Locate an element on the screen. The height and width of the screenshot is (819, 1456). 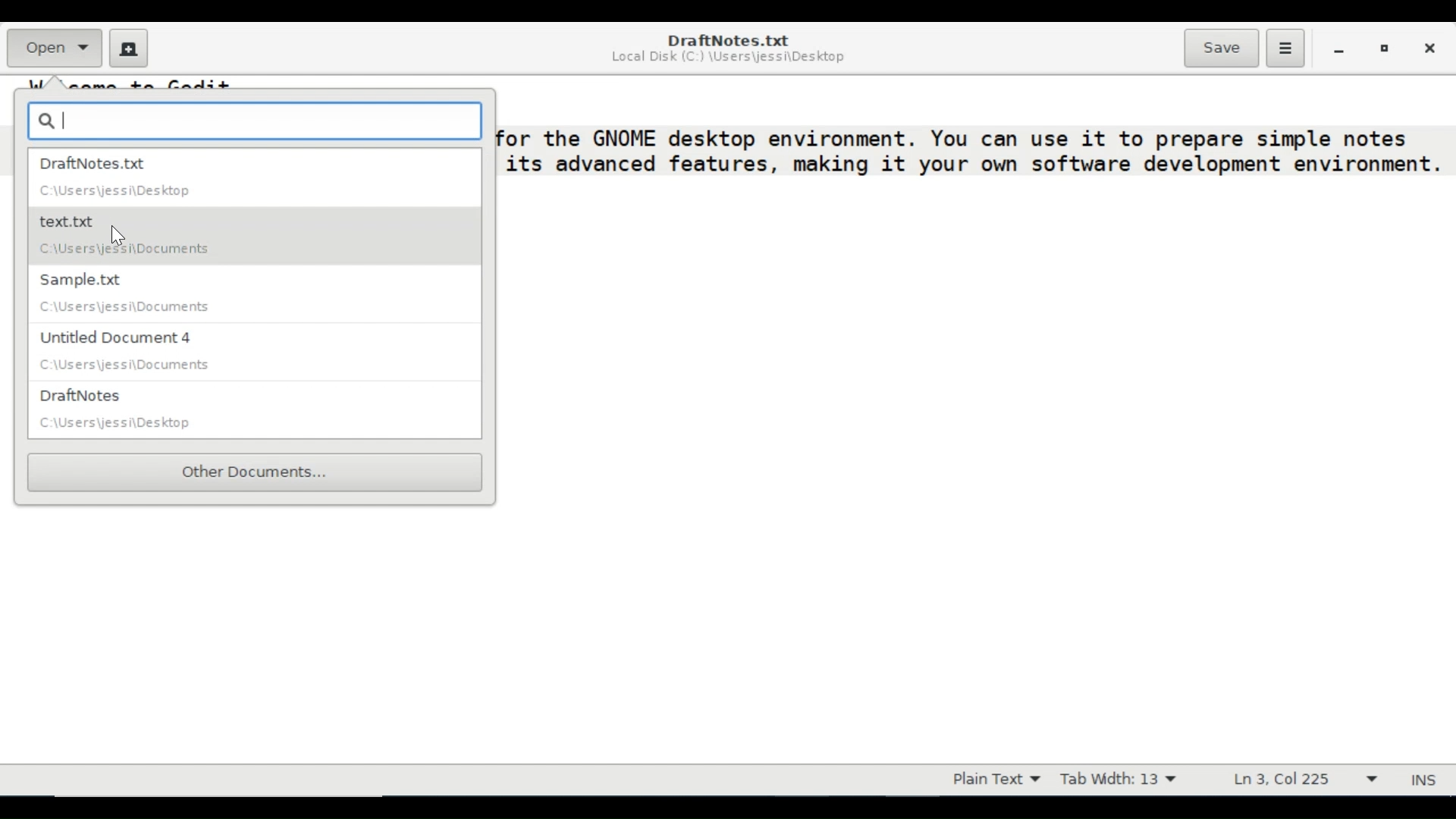
Cursor is located at coordinates (115, 232).